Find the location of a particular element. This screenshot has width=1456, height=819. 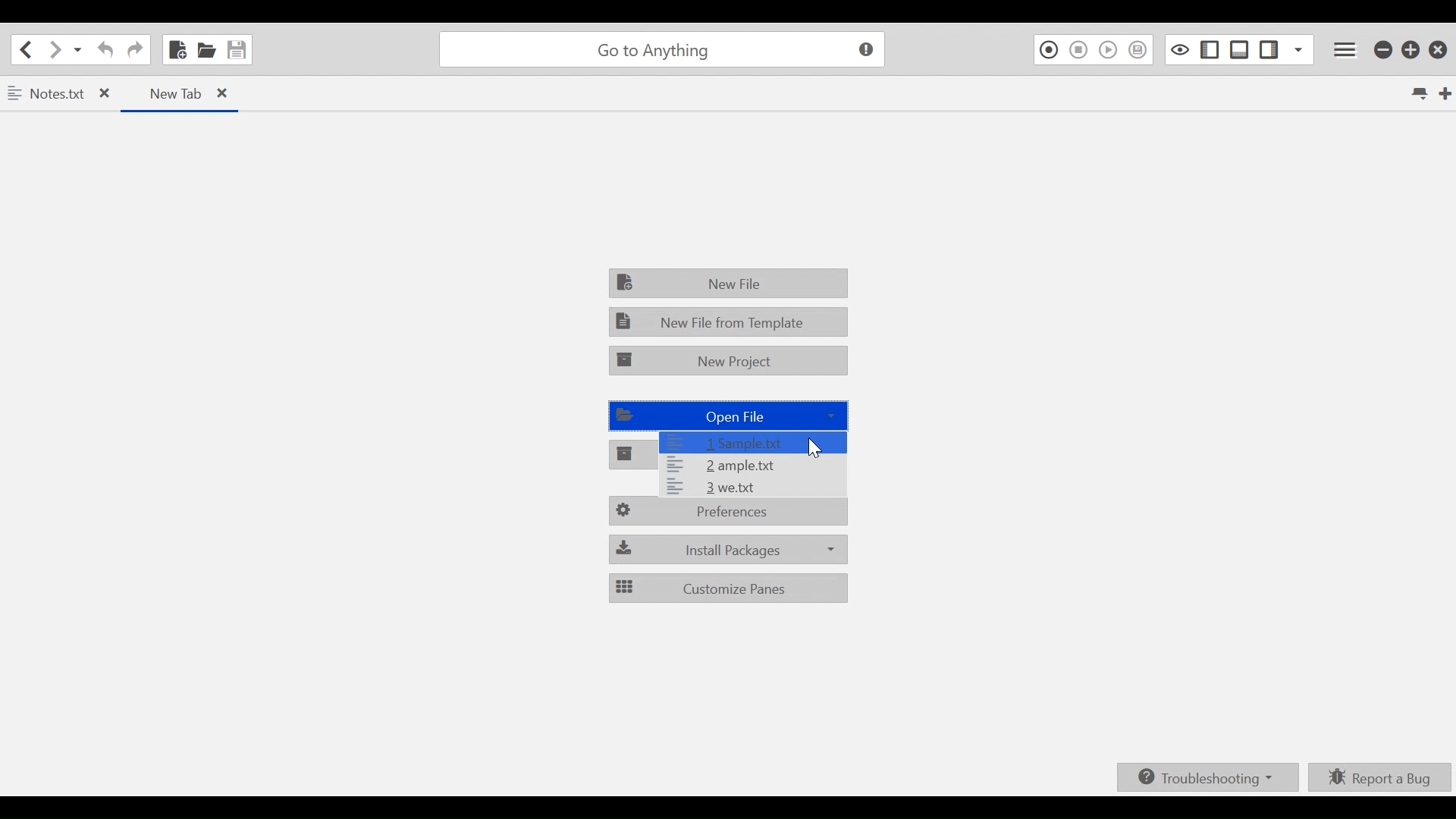

New File from Template is located at coordinates (726, 322).